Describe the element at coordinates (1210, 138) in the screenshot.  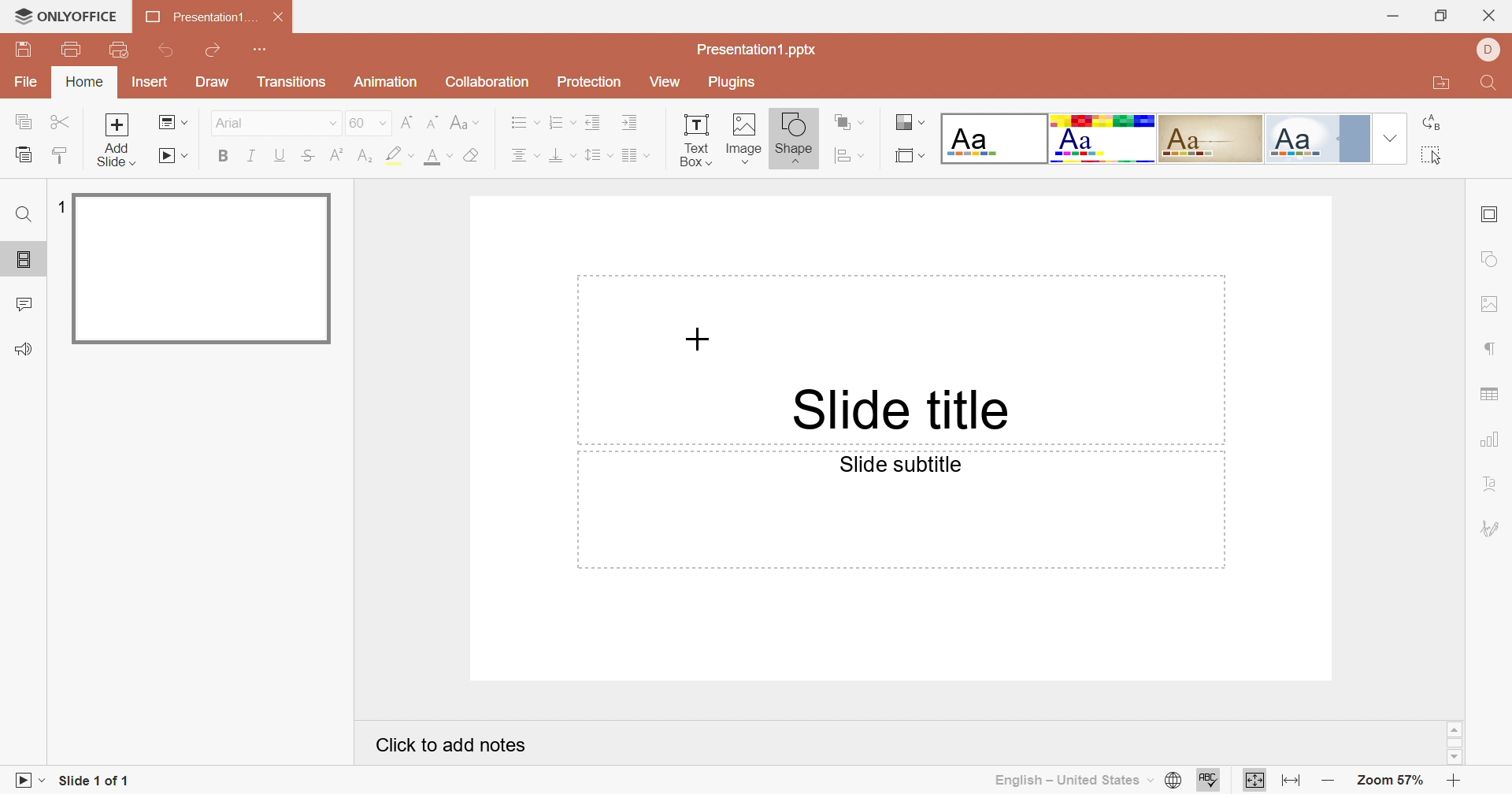
I see `Classic` at that location.